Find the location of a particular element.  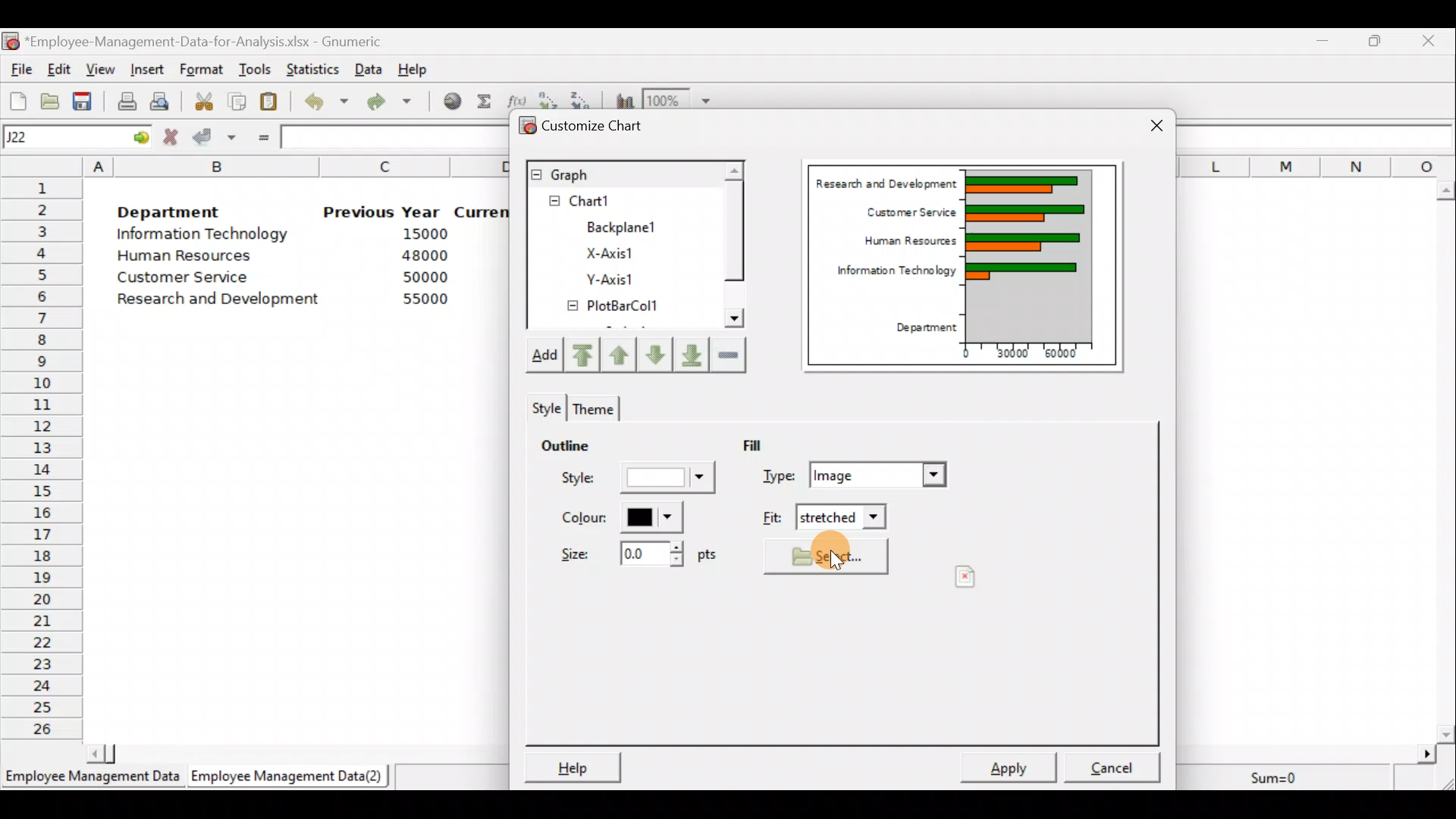

Information Technology is located at coordinates (891, 272).